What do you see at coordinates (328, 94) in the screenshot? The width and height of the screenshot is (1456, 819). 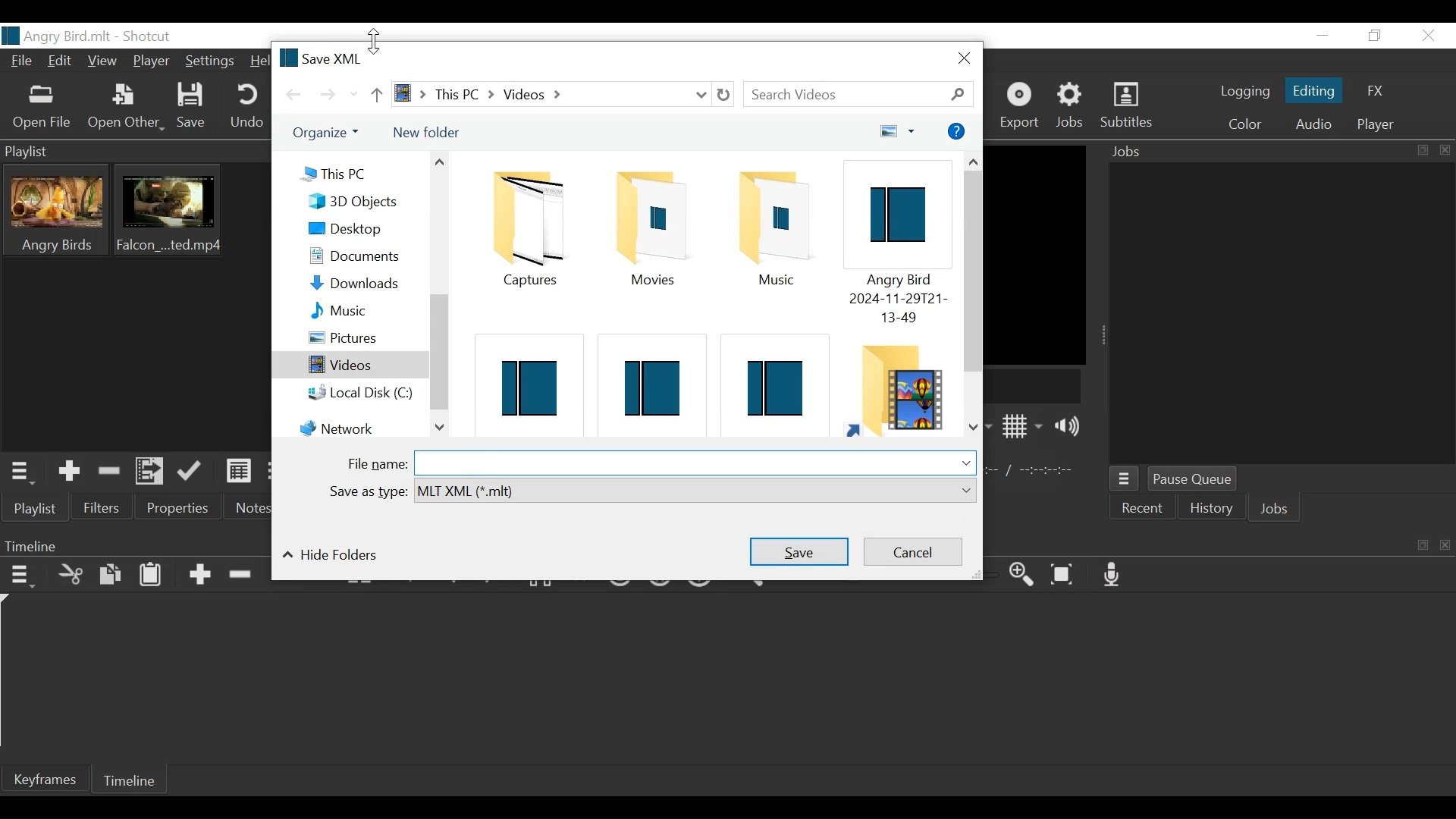 I see `Go forward` at bounding box center [328, 94].